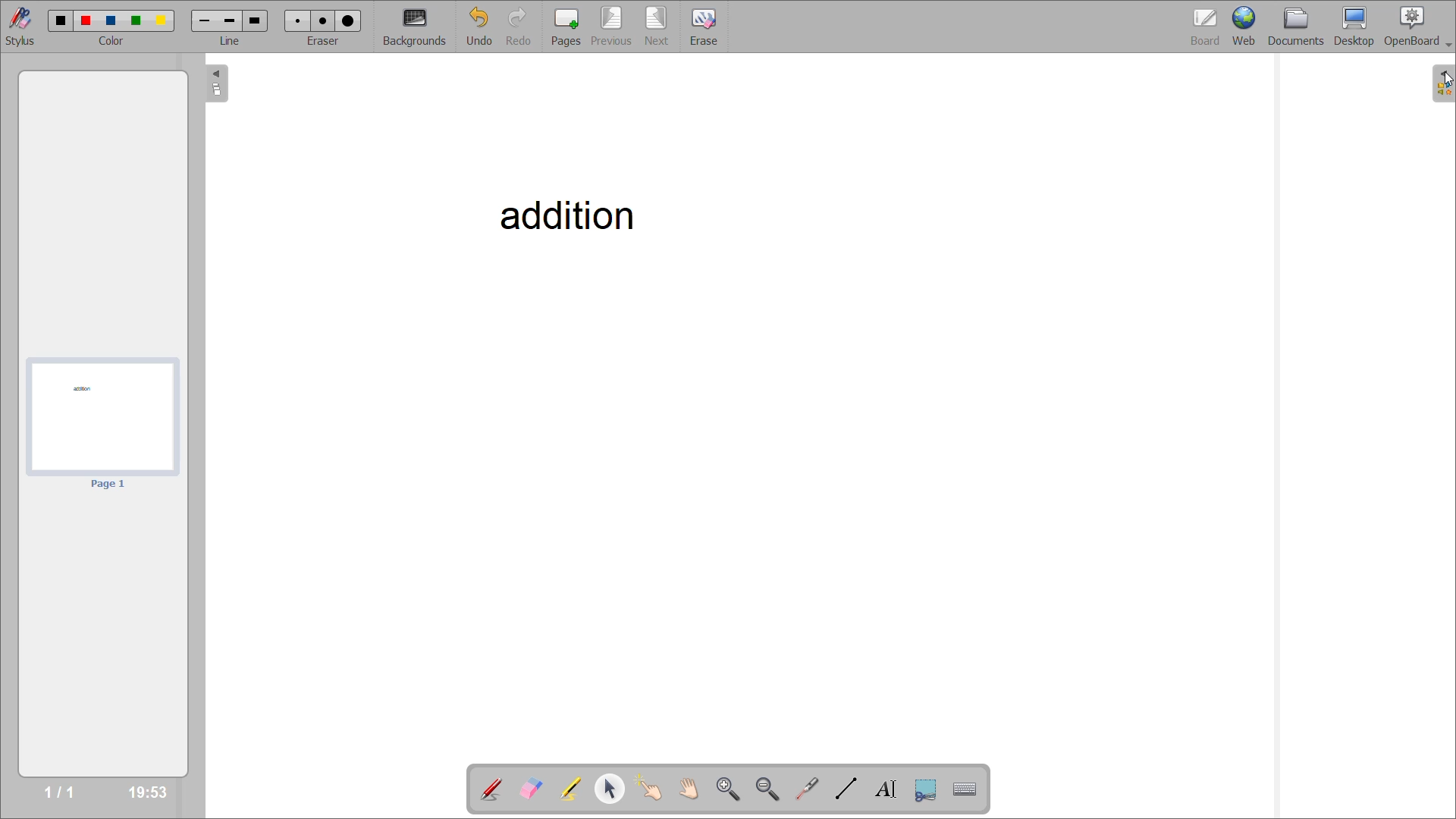 The width and height of the screenshot is (1456, 819). Describe the element at coordinates (565, 27) in the screenshot. I see `pages` at that location.